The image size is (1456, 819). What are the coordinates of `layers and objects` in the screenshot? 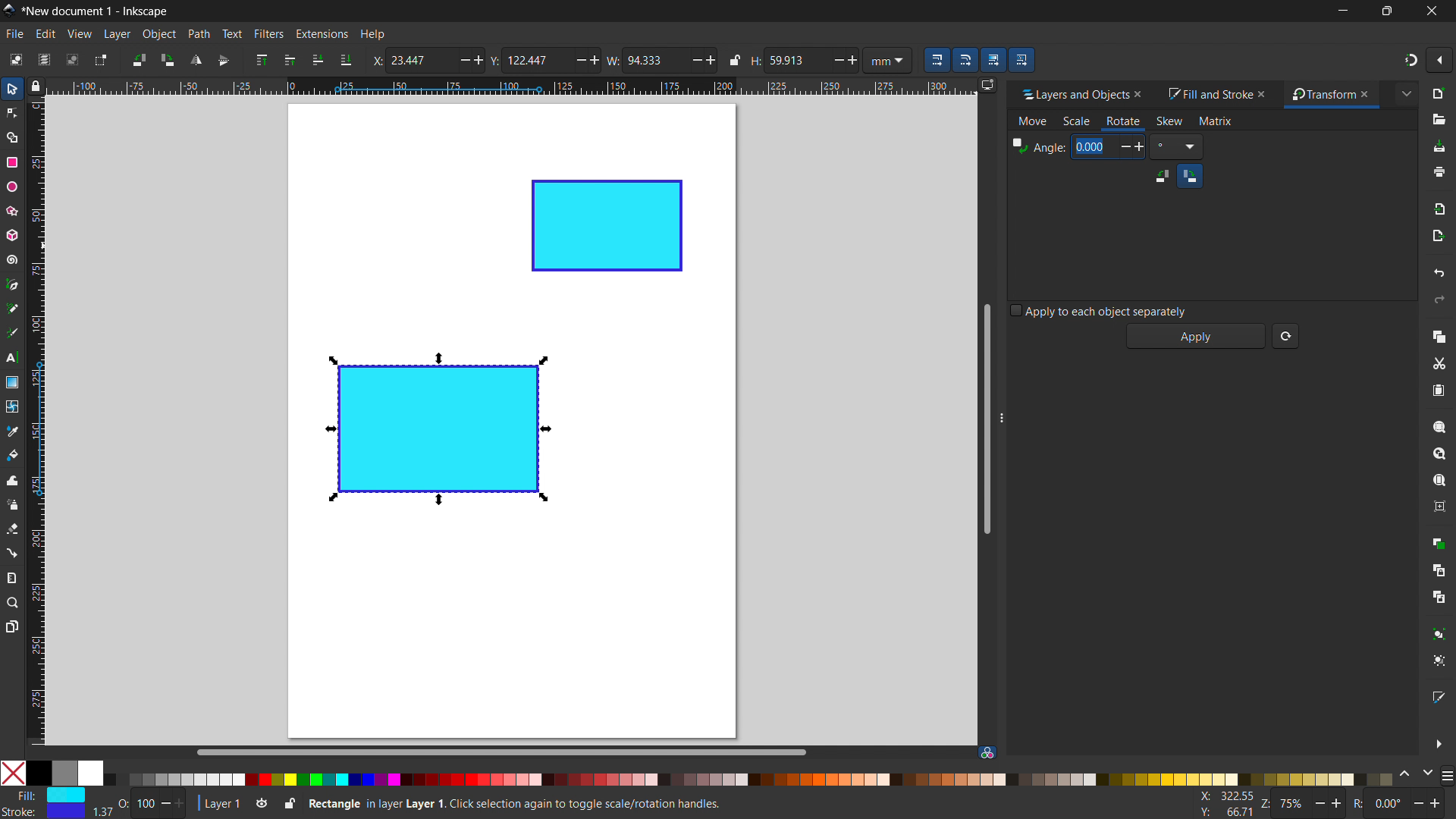 It's located at (1070, 94).